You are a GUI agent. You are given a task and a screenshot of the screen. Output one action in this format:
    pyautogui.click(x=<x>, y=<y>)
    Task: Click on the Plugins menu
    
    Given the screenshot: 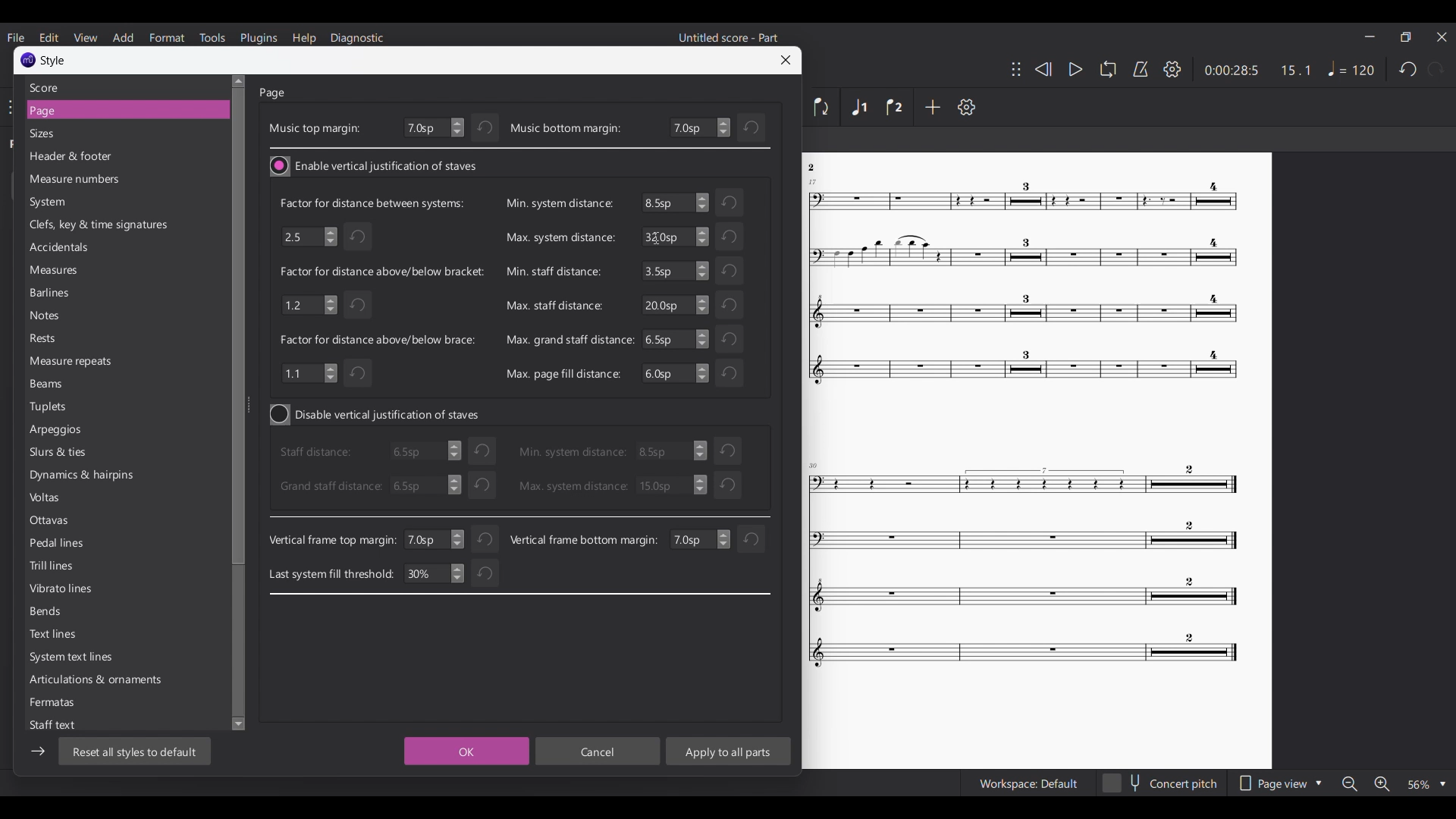 What is the action you would take?
    pyautogui.click(x=259, y=38)
    